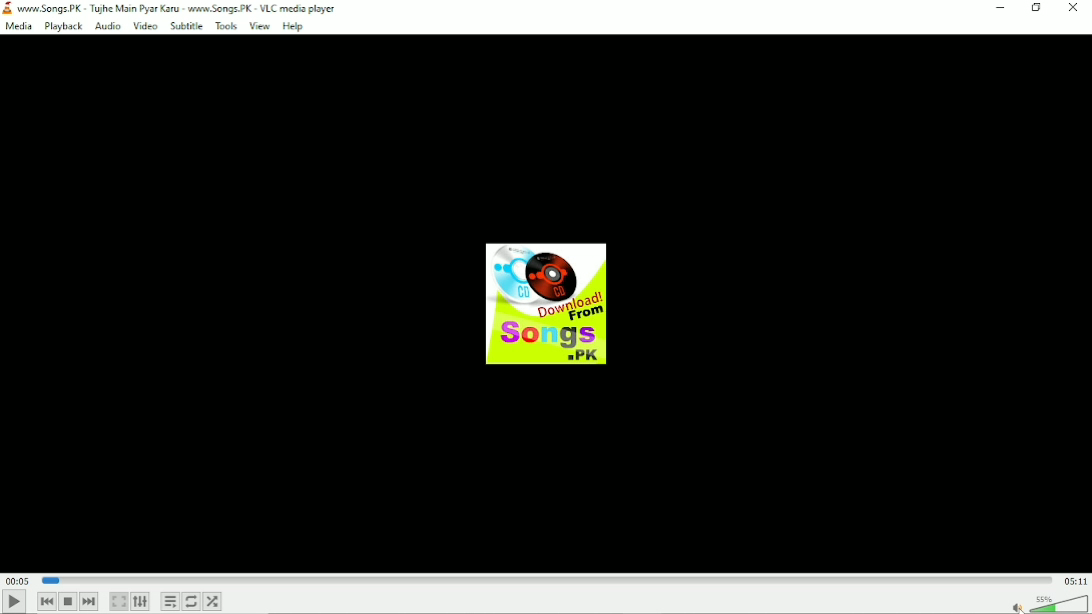  Describe the element at coordinates (260, 26) in the screenshot. I see `View` at that location.